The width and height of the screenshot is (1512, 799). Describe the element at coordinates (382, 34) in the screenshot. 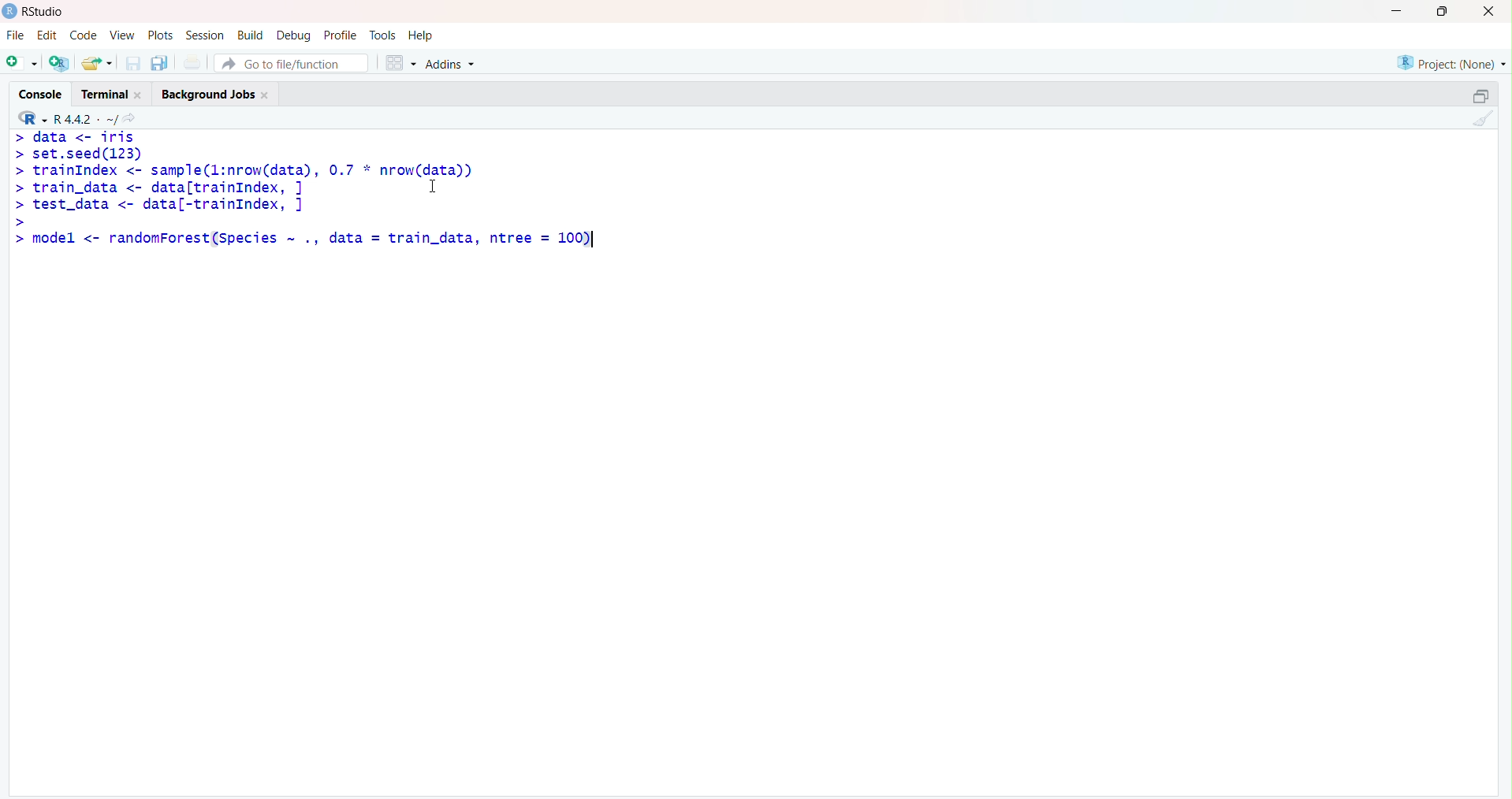

I see `Tools` at that location.